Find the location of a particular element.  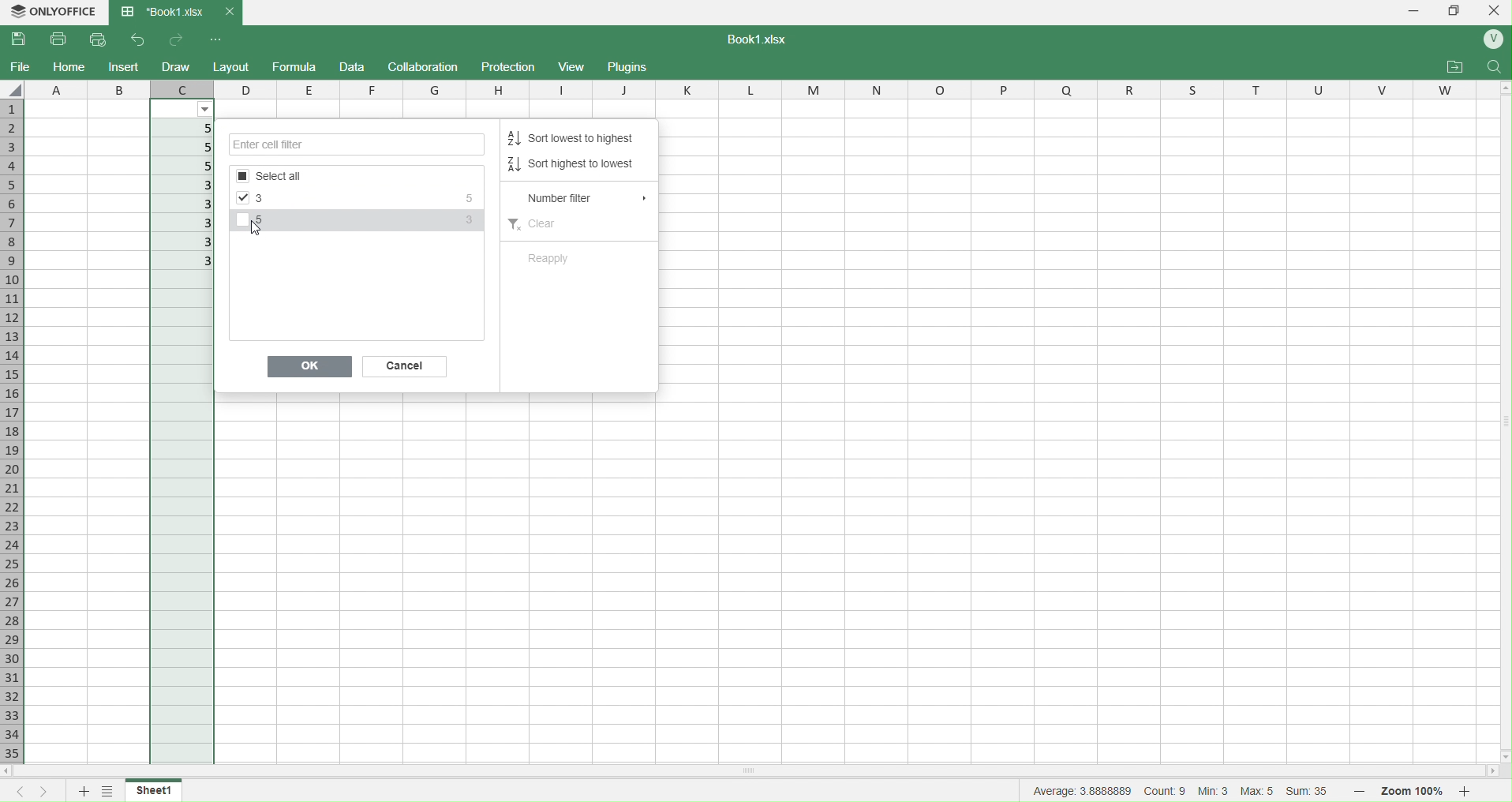

Number filter is located at coordinates (584, 199).